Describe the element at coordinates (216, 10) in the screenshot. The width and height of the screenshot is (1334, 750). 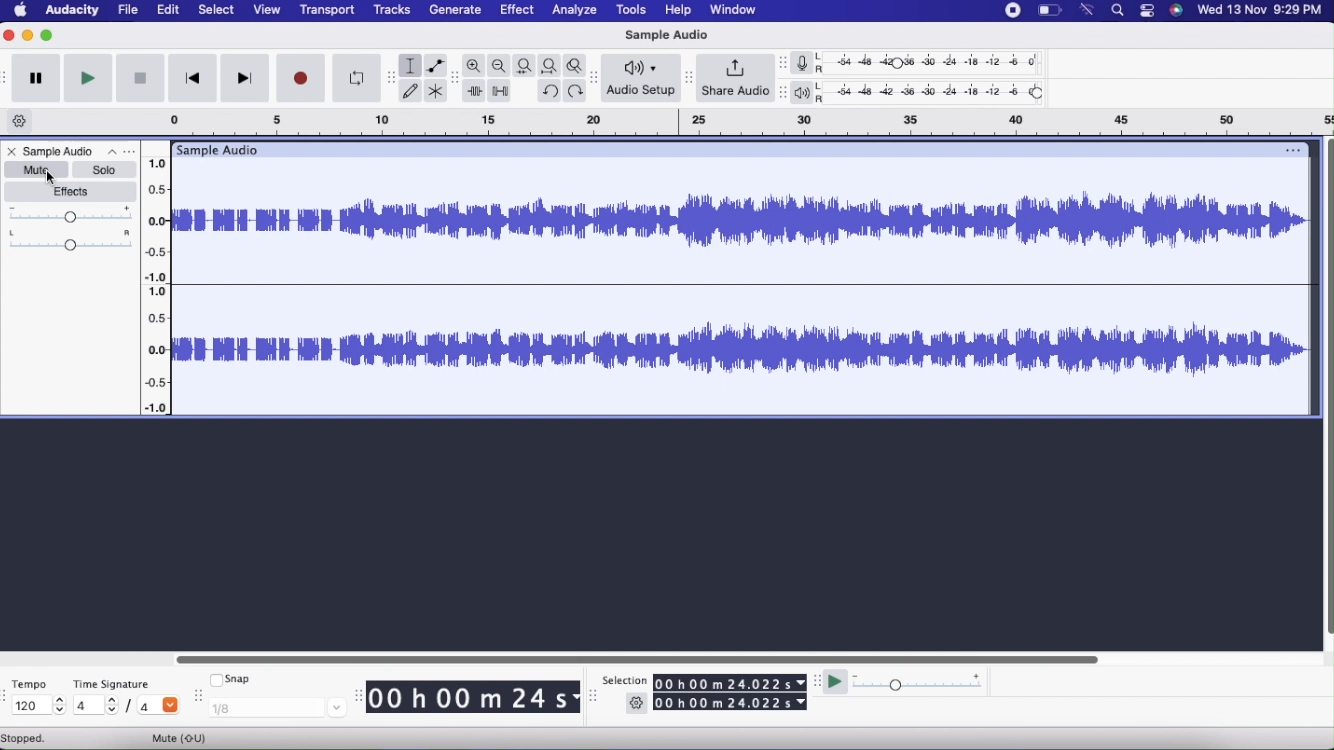
I see `Select` at that location.